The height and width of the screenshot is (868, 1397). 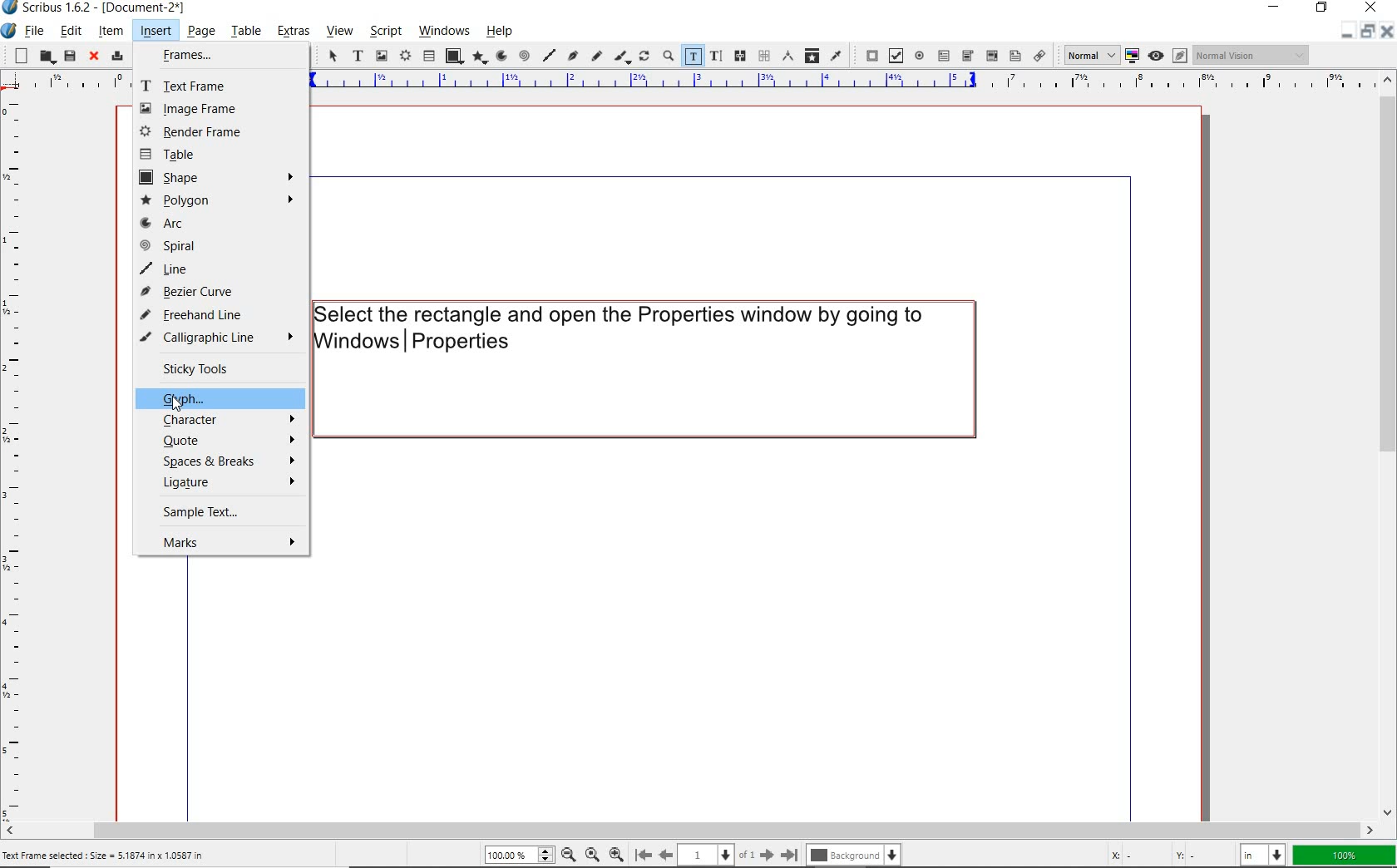 I want to click on minimise, so click(x=1344, y=33).